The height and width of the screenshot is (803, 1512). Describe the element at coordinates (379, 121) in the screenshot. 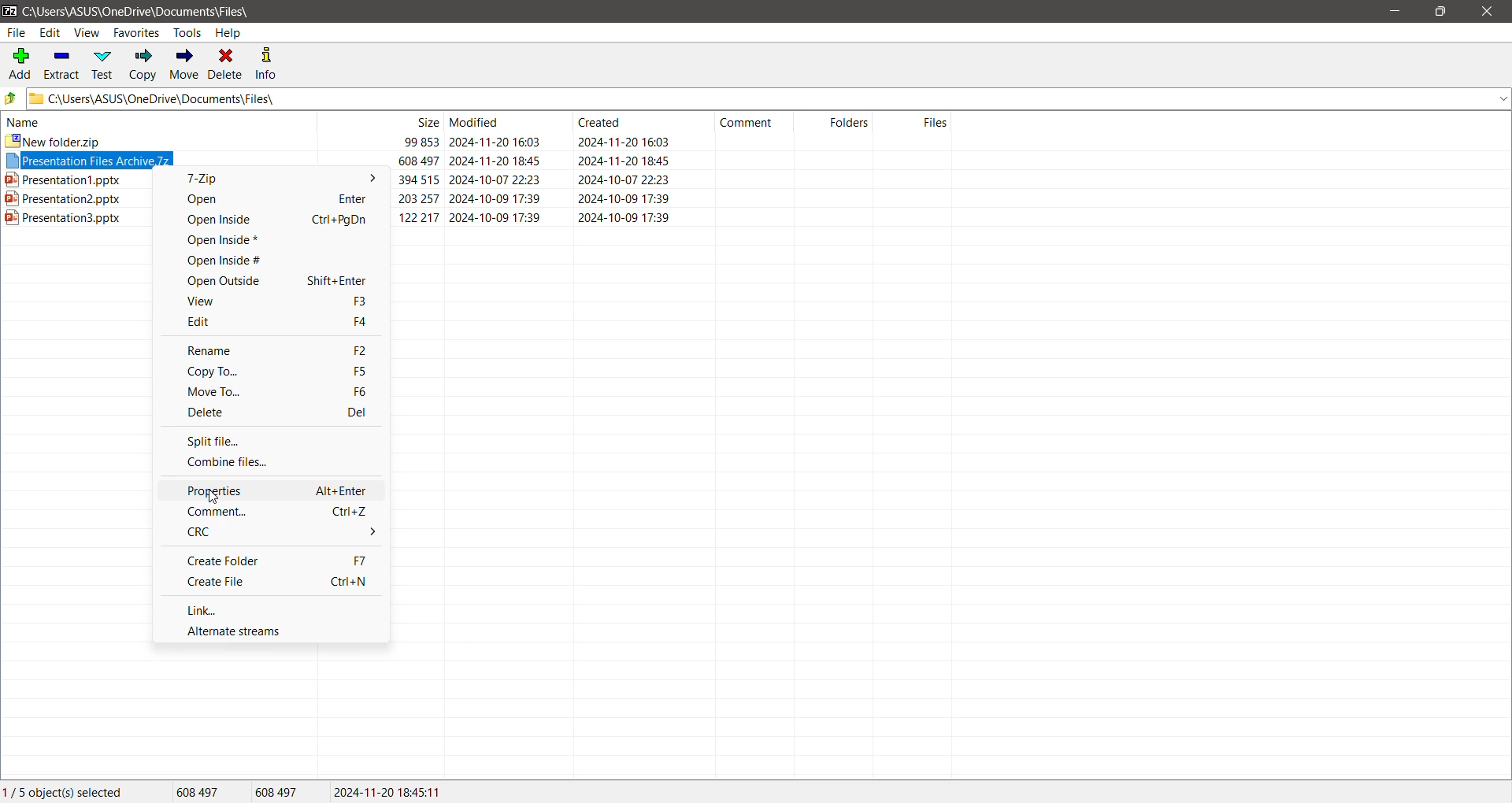

I see `size` at that location.